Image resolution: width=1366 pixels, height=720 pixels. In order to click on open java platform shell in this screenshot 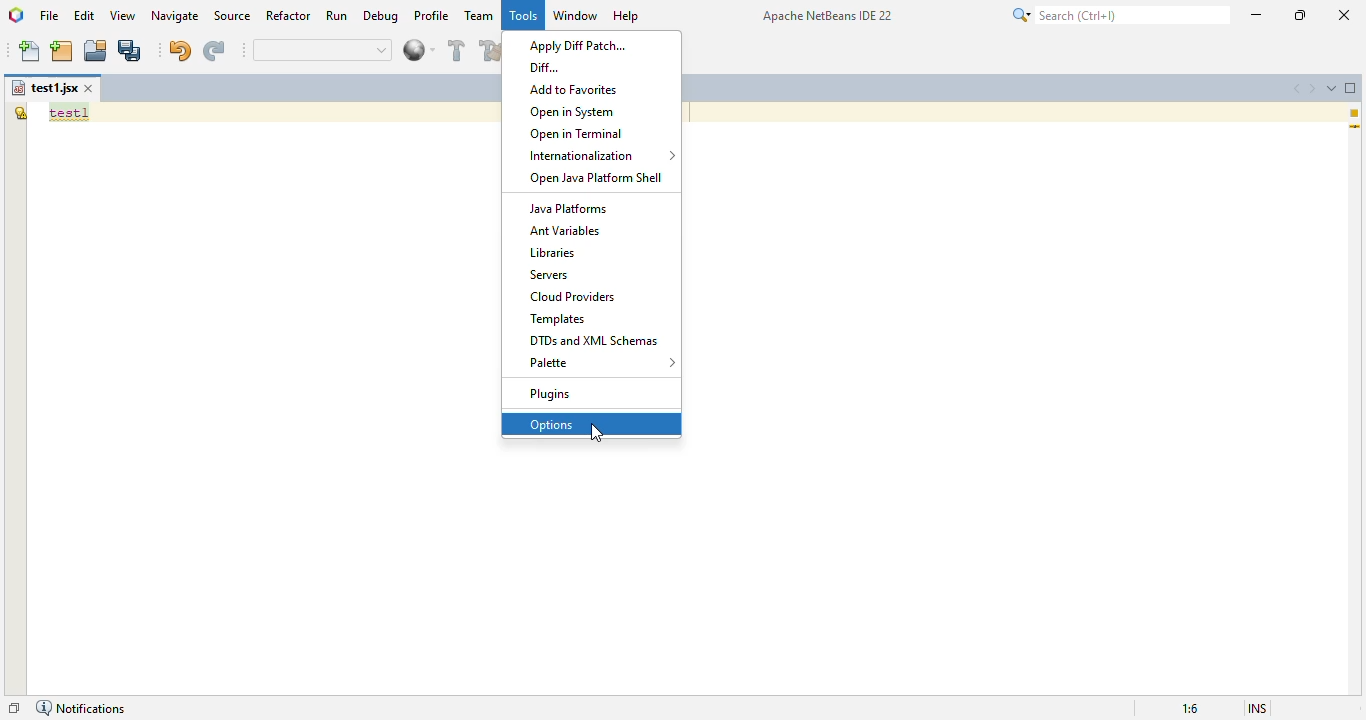, I will do `click(593, 178)`.